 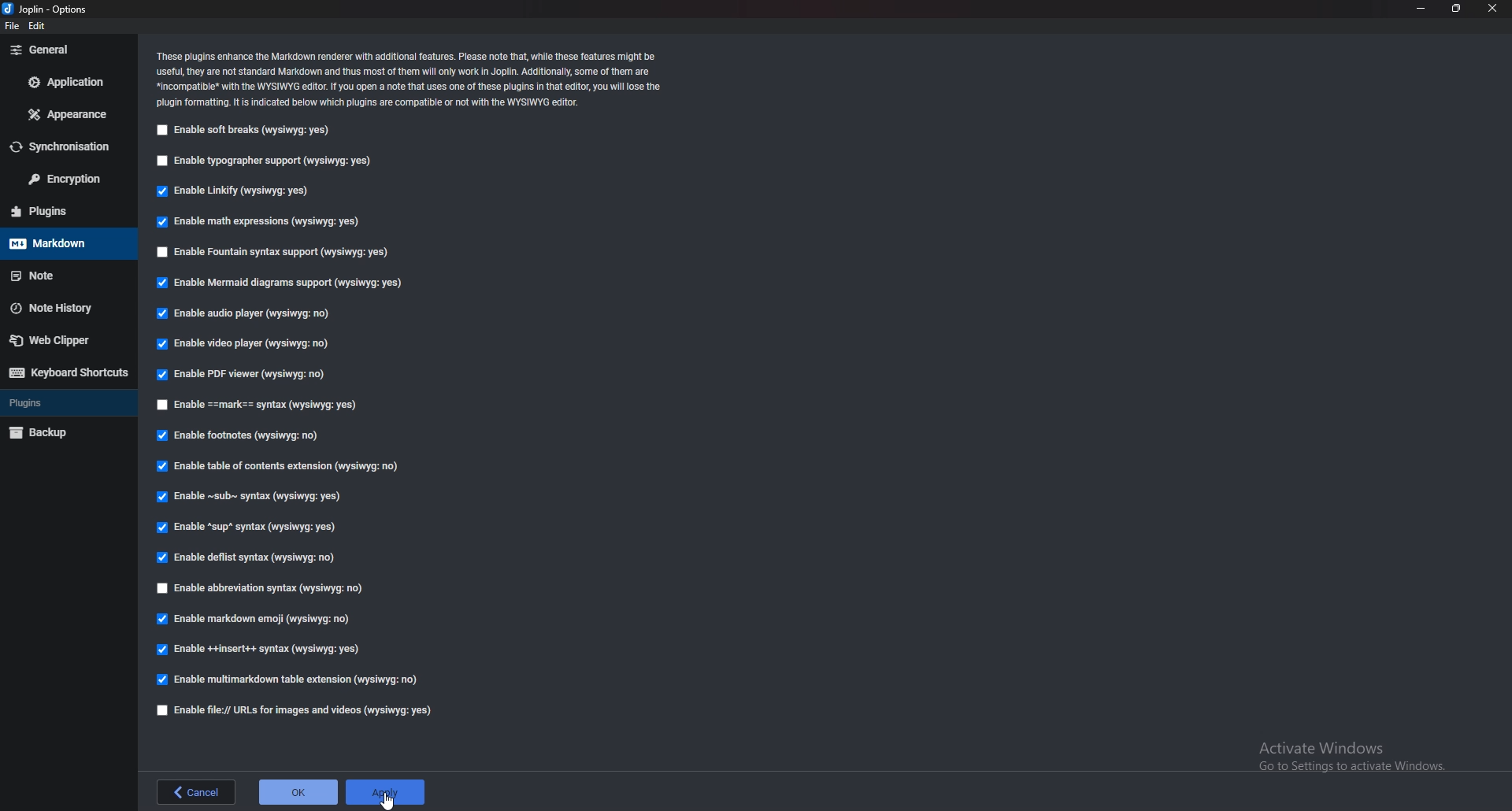 What do you see at coordinates (65, 178) in the screenshot?
I see `Encryption` at bounding box center [65, 178].